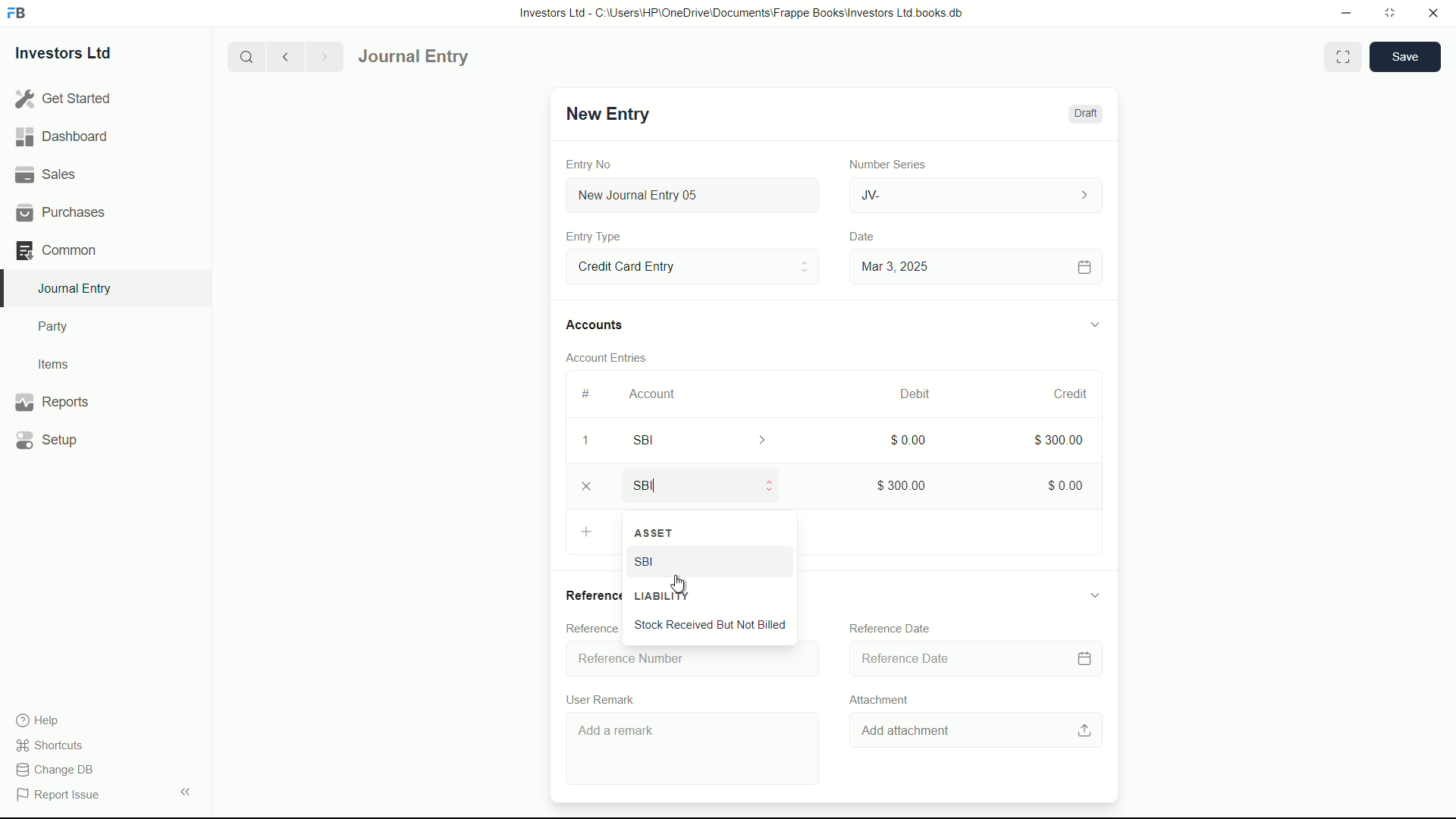 This screenshot has width=1456, height=819. Describe the element at coordinates (604, 698) in the screenshot. I see `User Remark` at that location.